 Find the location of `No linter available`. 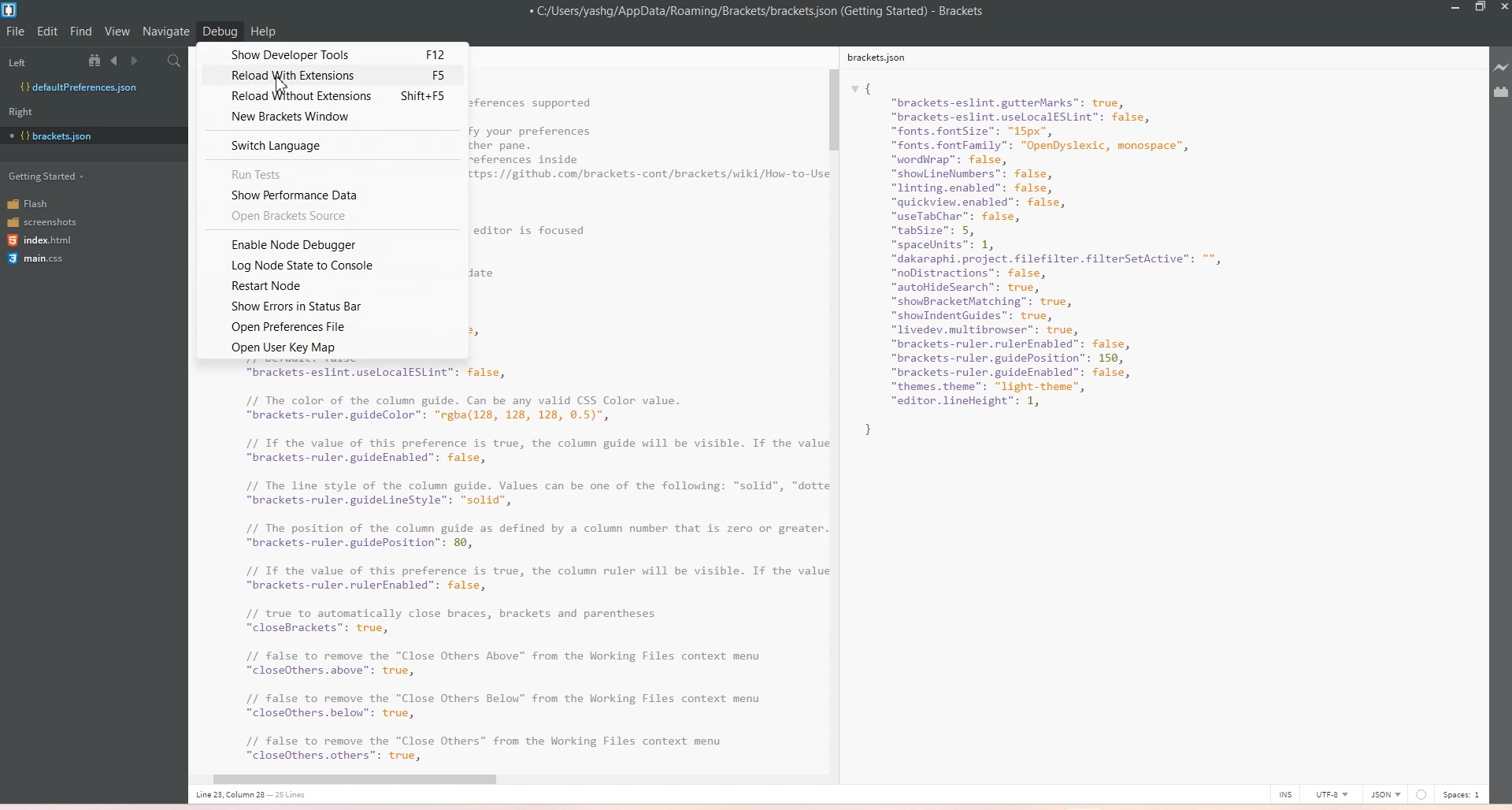

No linter available is located at coordinates (1421, 795).